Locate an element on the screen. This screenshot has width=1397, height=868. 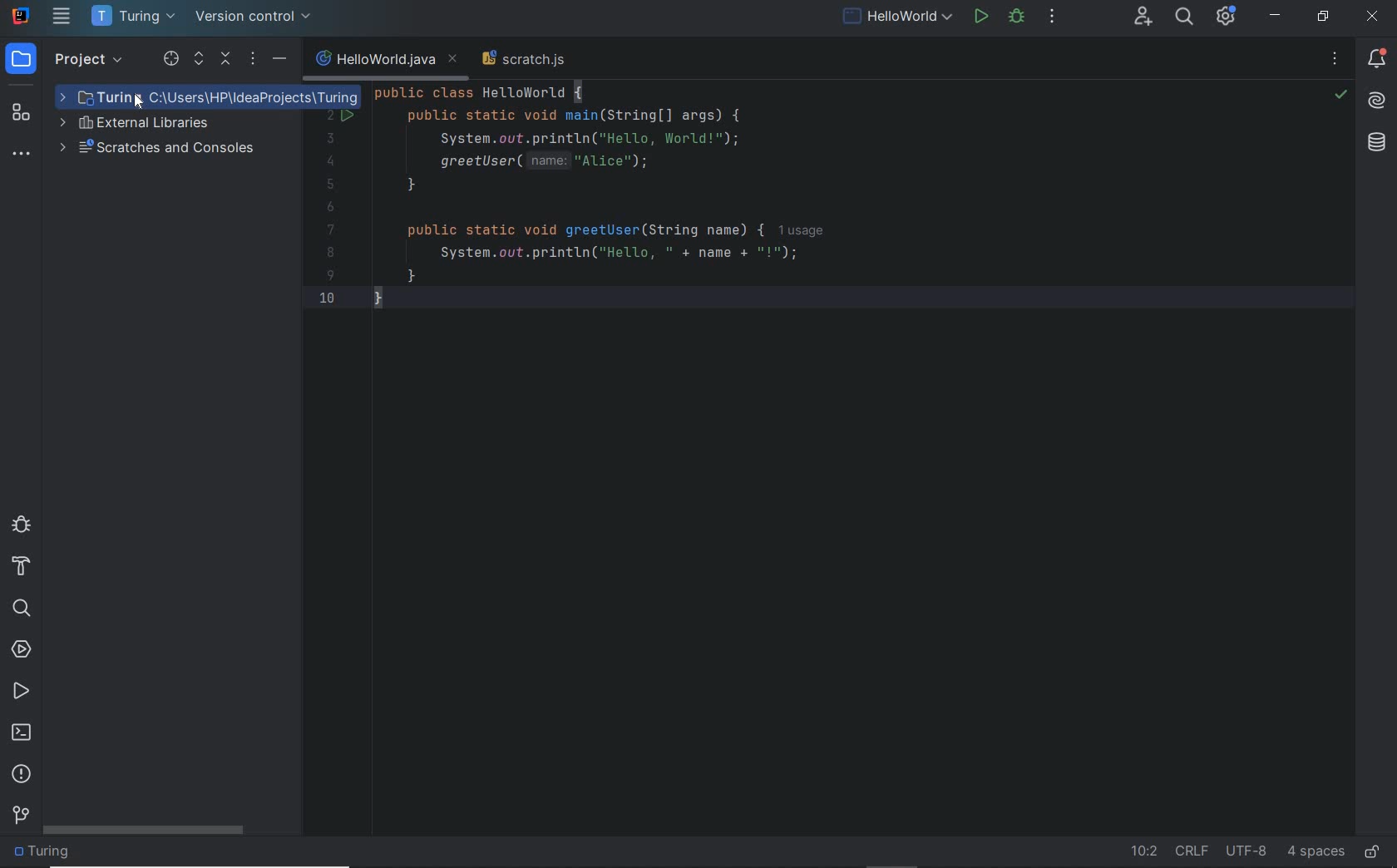
build is located at coordinates (24, 570).